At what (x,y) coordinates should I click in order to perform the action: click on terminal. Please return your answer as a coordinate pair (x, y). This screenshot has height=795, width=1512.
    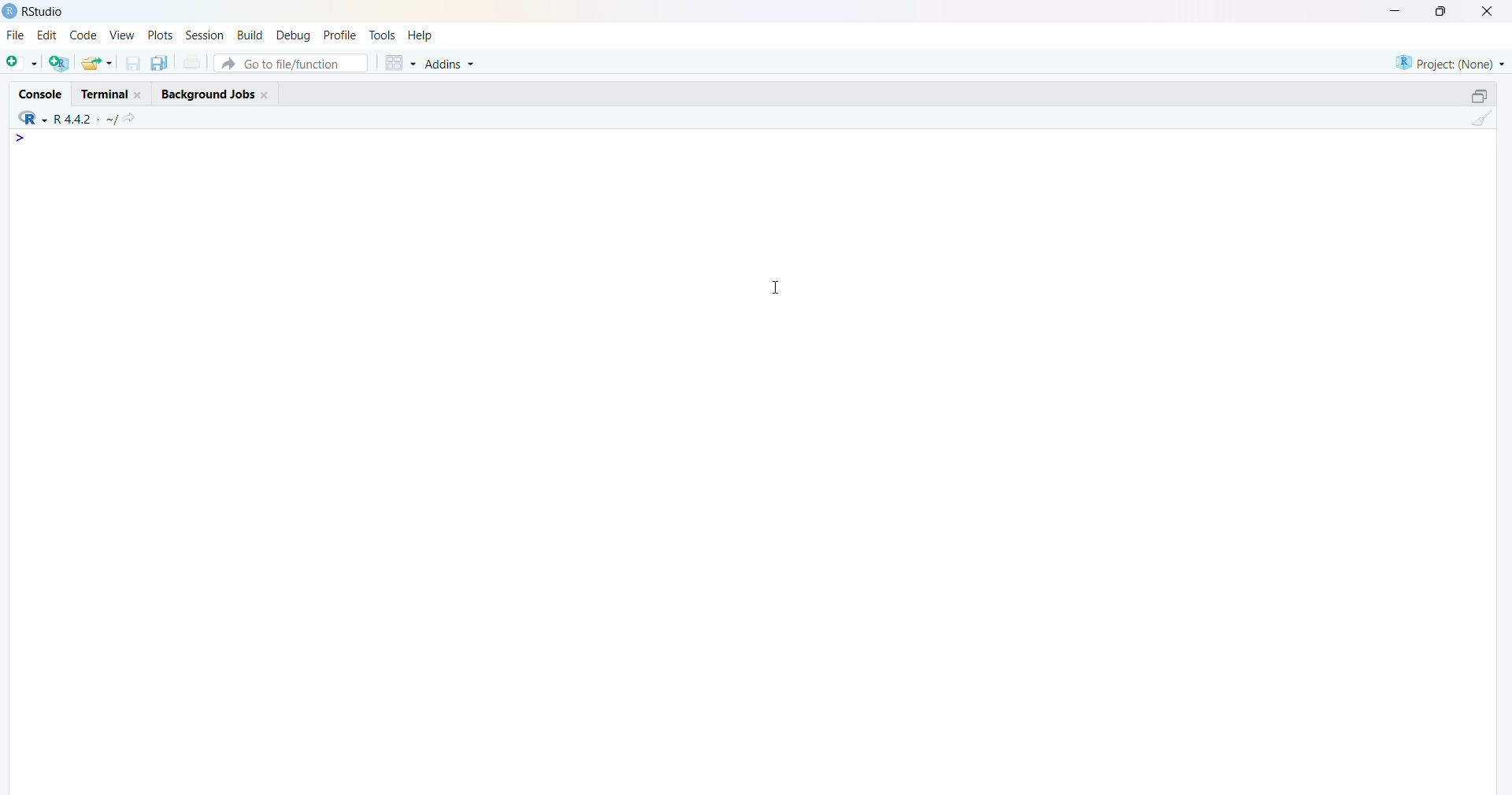
    Looking at the image, I should click on (104, 94).